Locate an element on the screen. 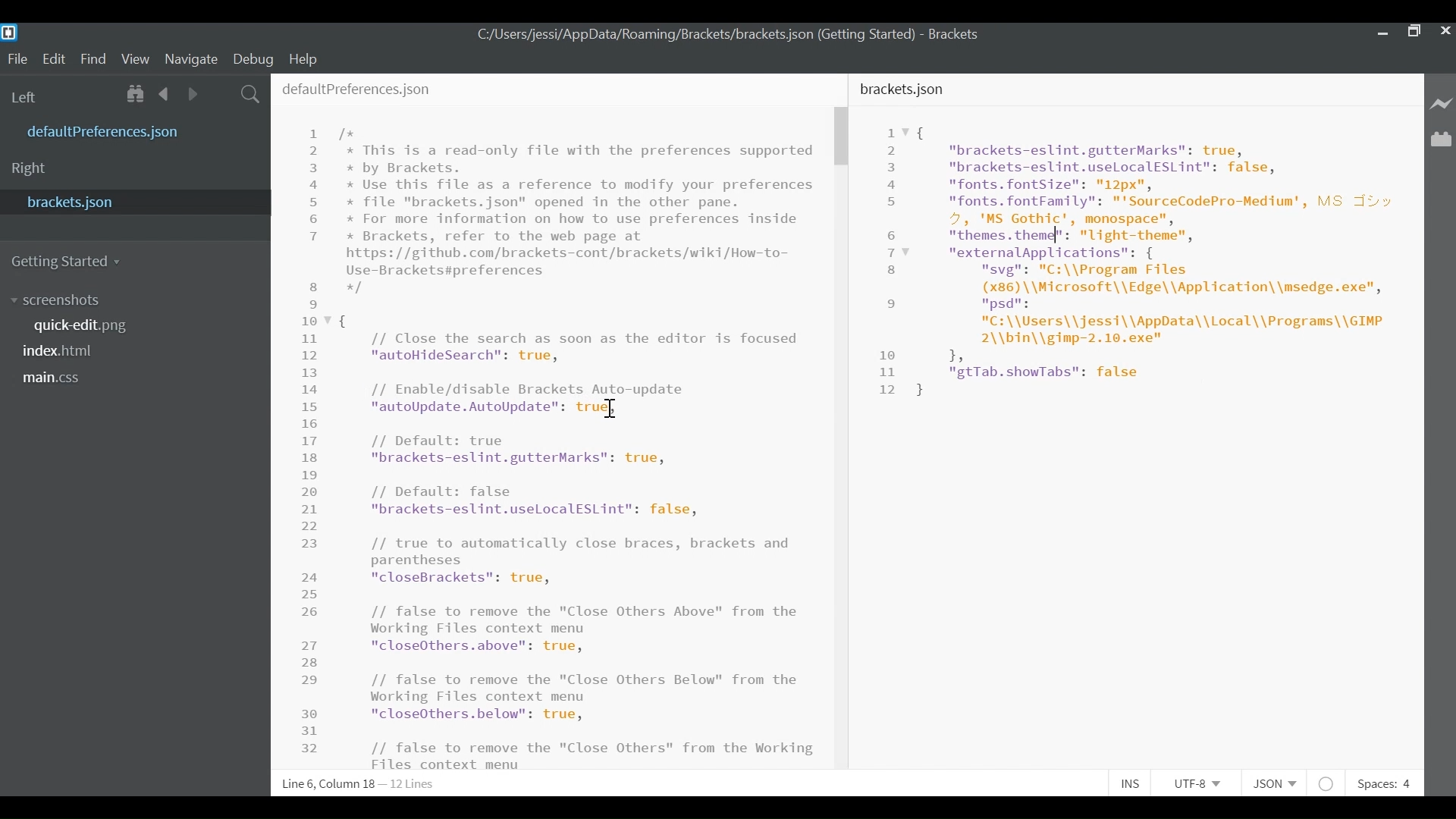 The width and height of the screenshot is (1456, 819). defaultPrefereces.json File Editor is located at coordinates (549, 421).